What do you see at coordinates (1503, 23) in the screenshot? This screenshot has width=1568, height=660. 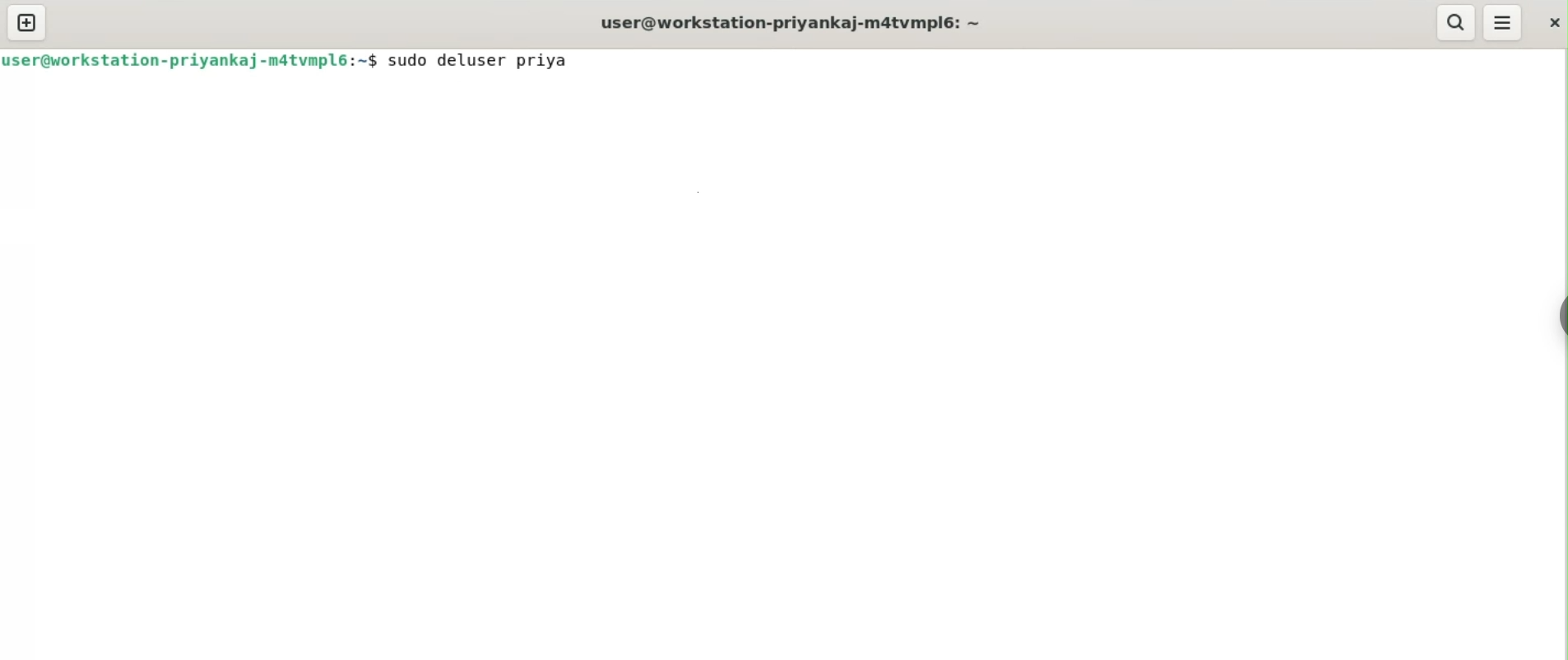 I see `menu` at bounding box center [1503, 23].